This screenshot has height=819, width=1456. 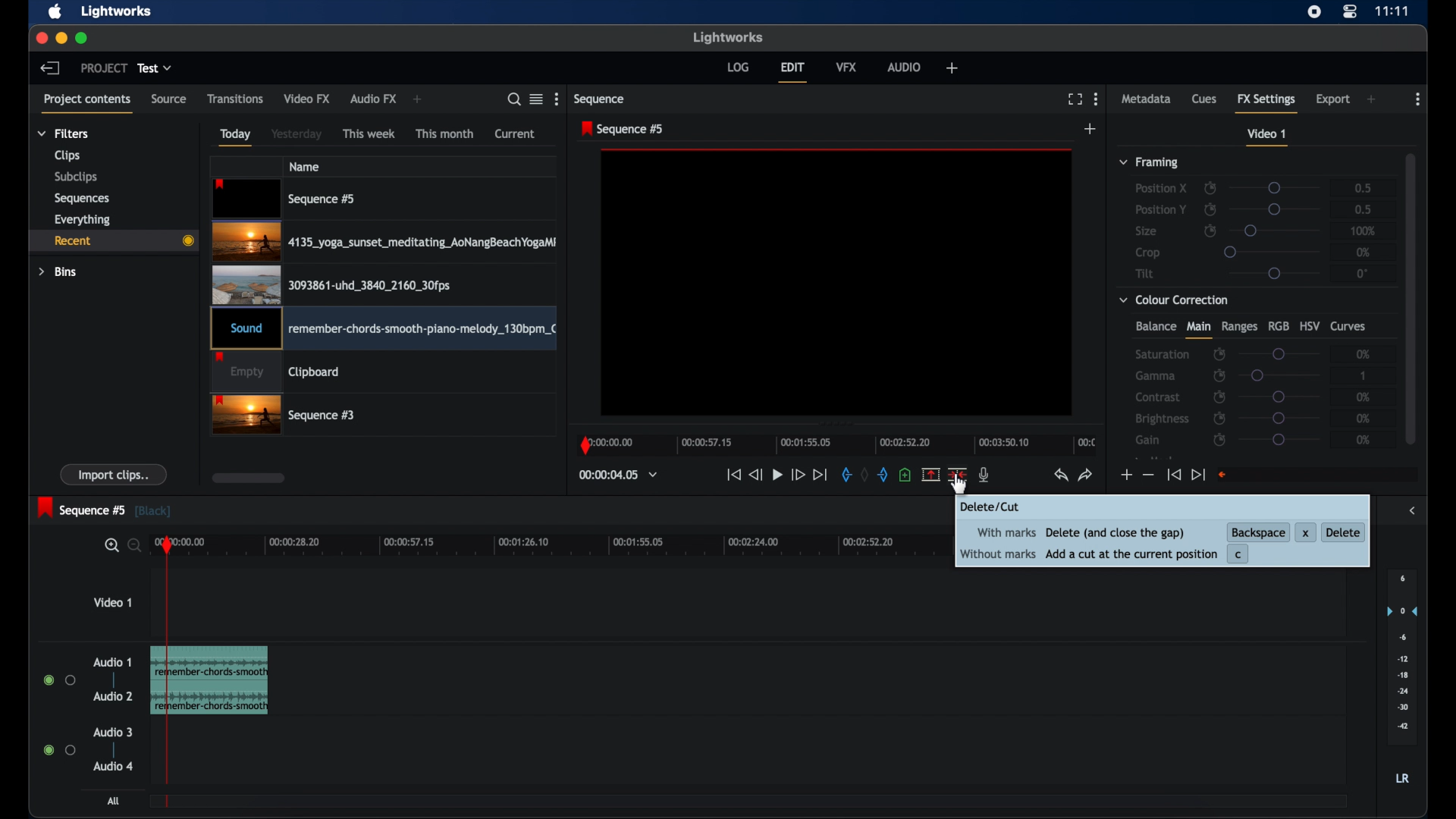 What do you see at coordinates (1219, 397) in the screenshot?
I see `enable/disable keyframes` at bounding box center [1219, 397].